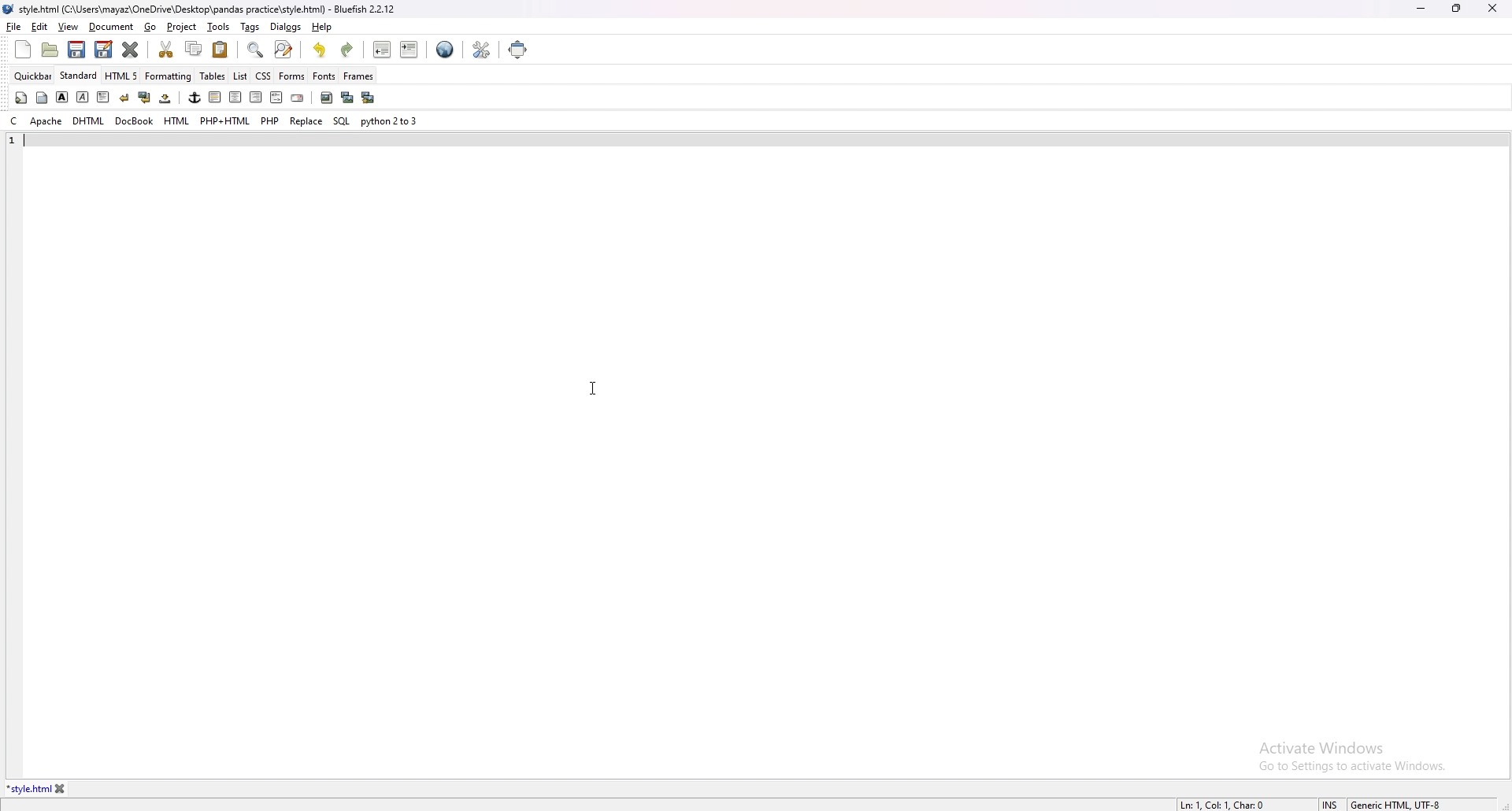 This screenshot has height=811, width=1512. Describe the element at coordinates (103, 50) in the screenshot. I see `save as` at that location.